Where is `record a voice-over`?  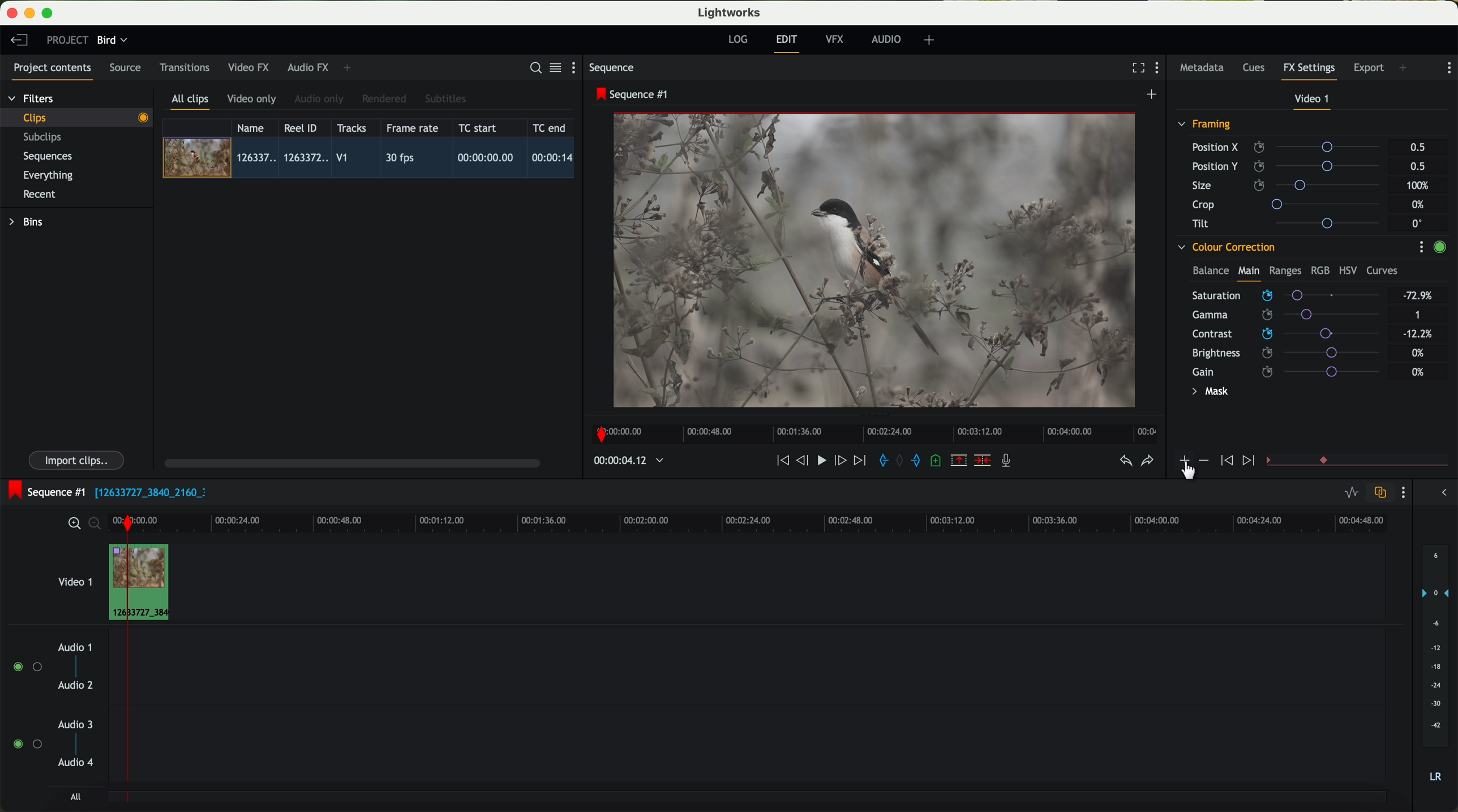
record a voice-over is located at coordinates (1010, 462).